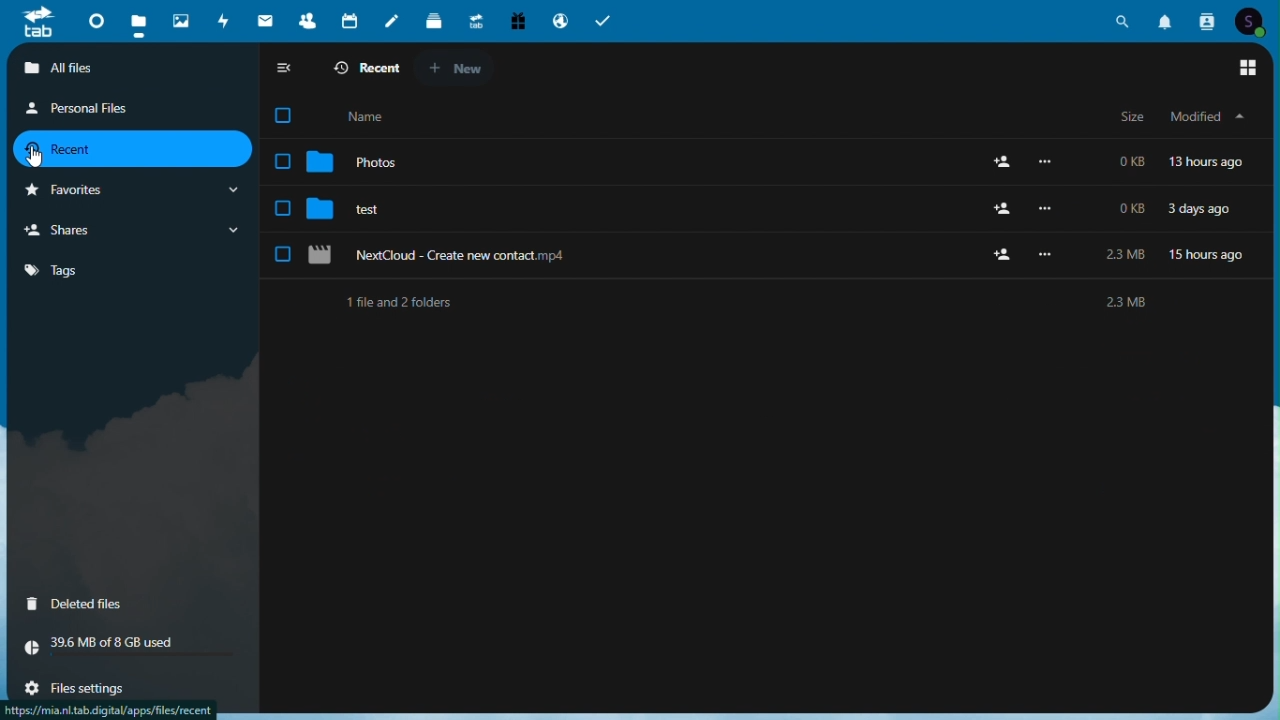 This screenshot has height=720, width=1280. I want to click on test, so click(353, 209).